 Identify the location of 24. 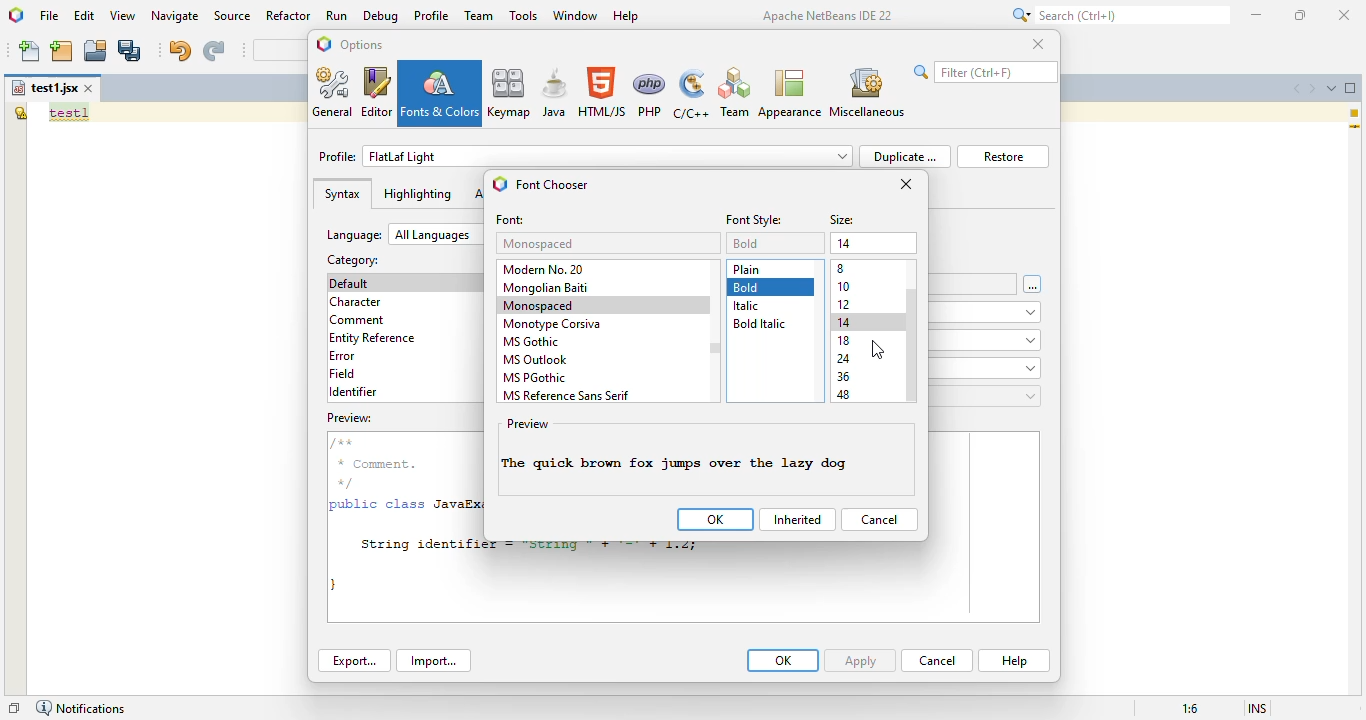
(844, 359).